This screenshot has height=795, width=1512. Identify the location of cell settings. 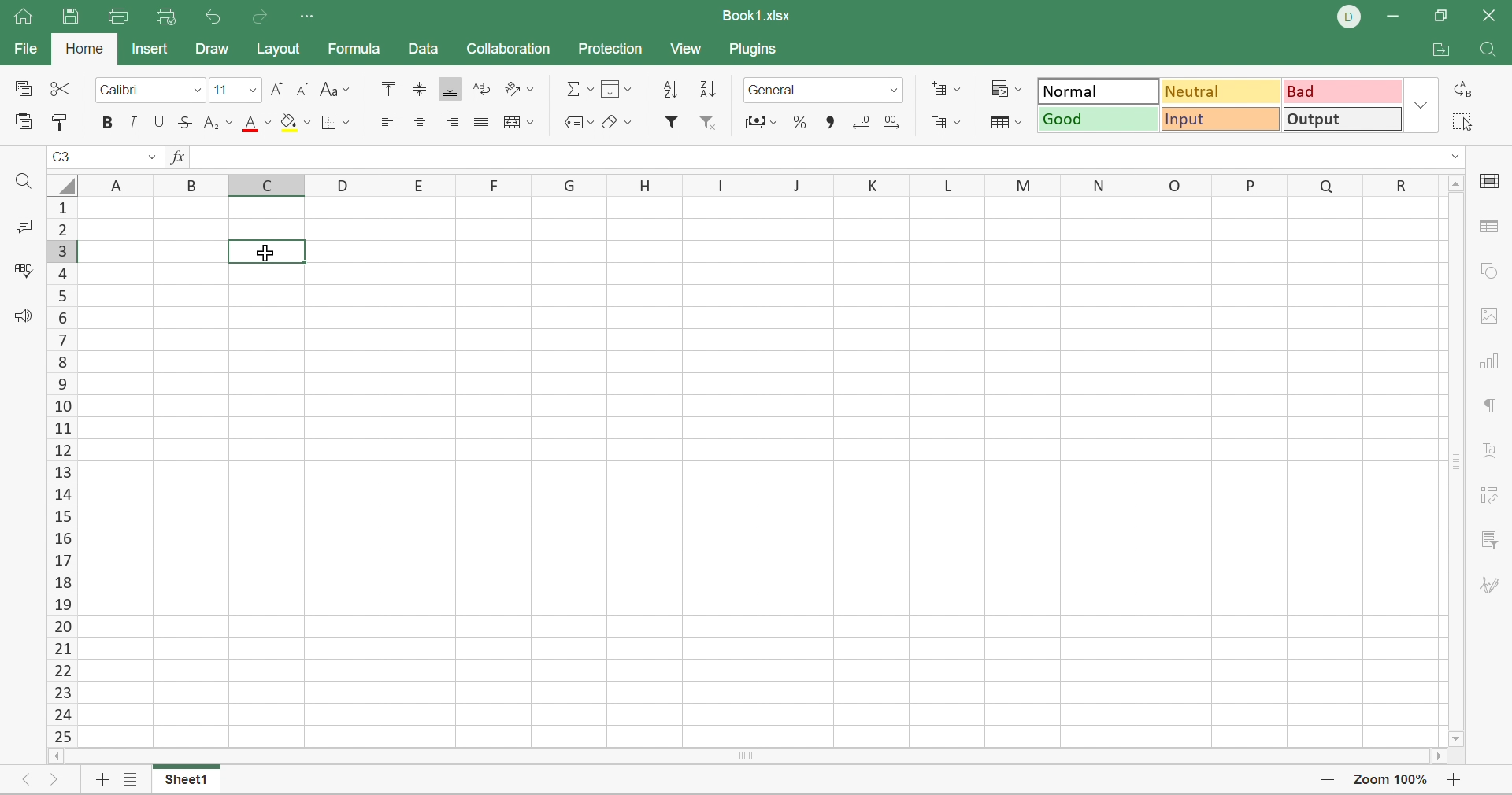
(1491, 183).